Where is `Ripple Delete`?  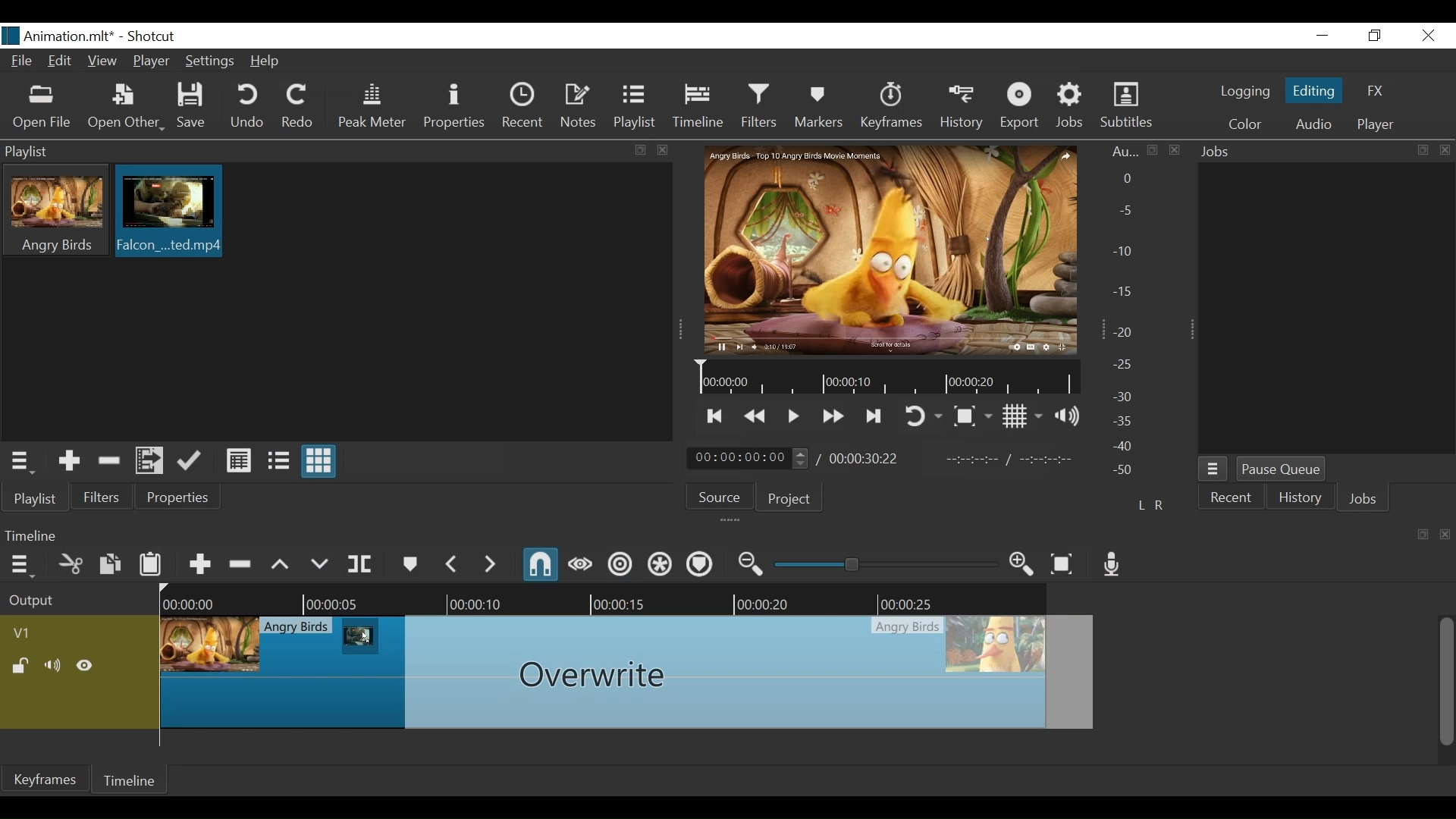 Ripple Delete is located at coordinates (242, 562).